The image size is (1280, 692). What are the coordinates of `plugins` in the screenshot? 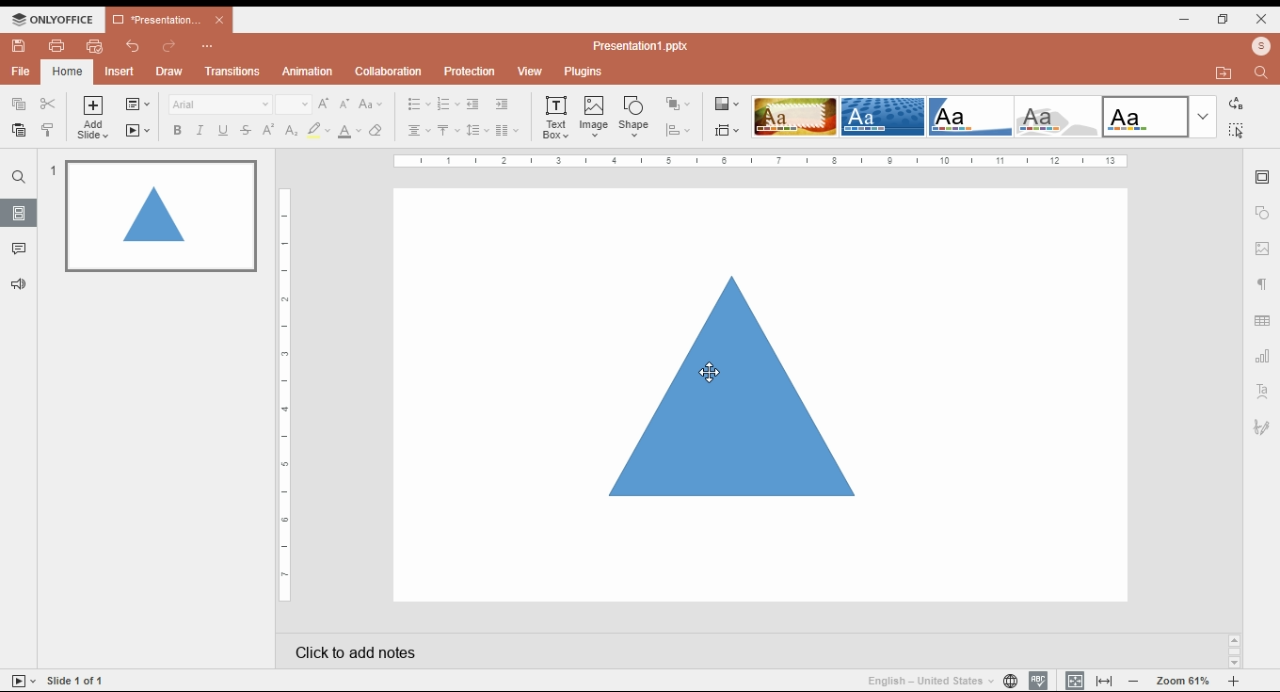 It's located at (582, 72).